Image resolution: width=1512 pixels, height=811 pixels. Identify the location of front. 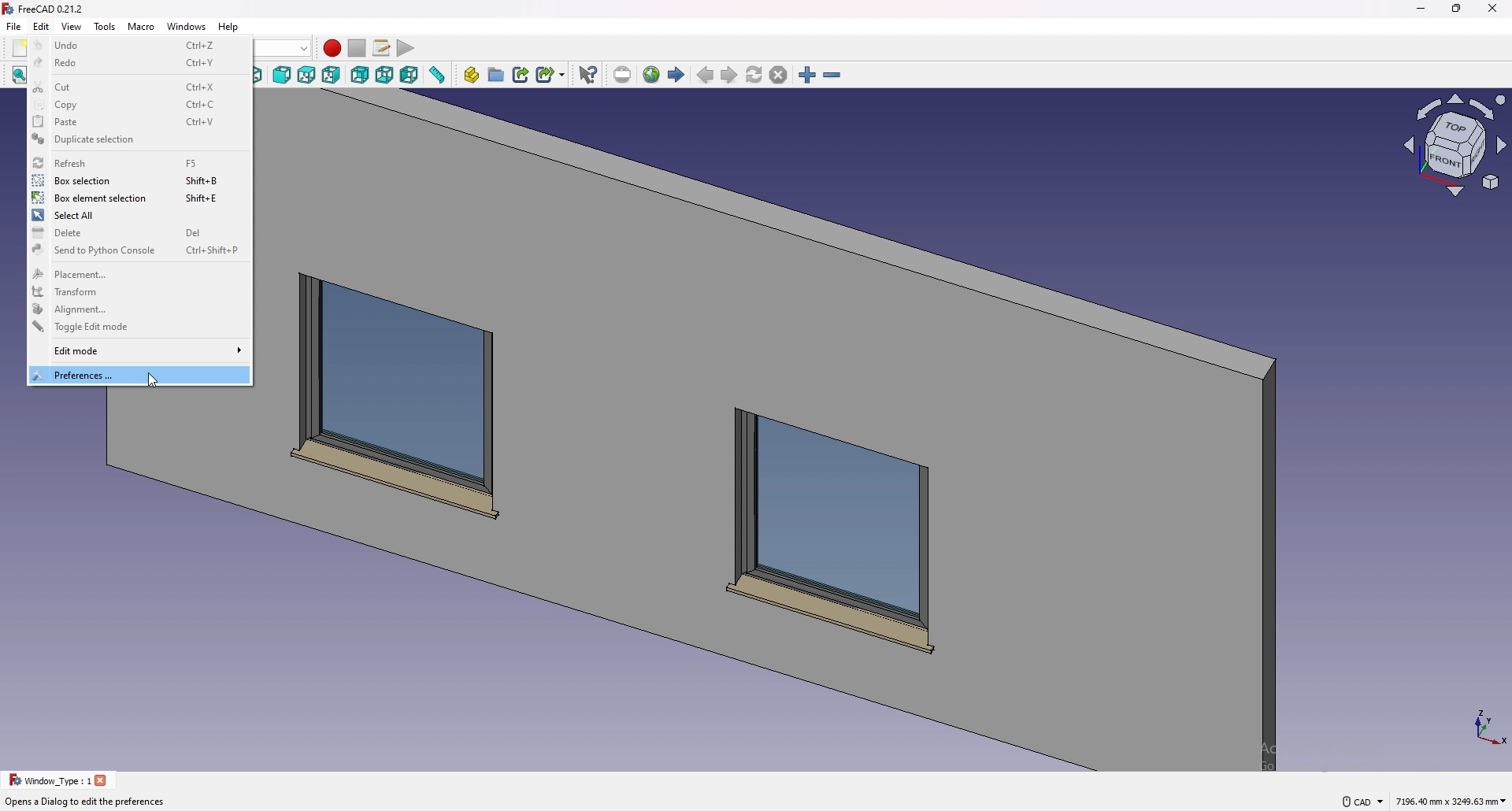
(283, 76).